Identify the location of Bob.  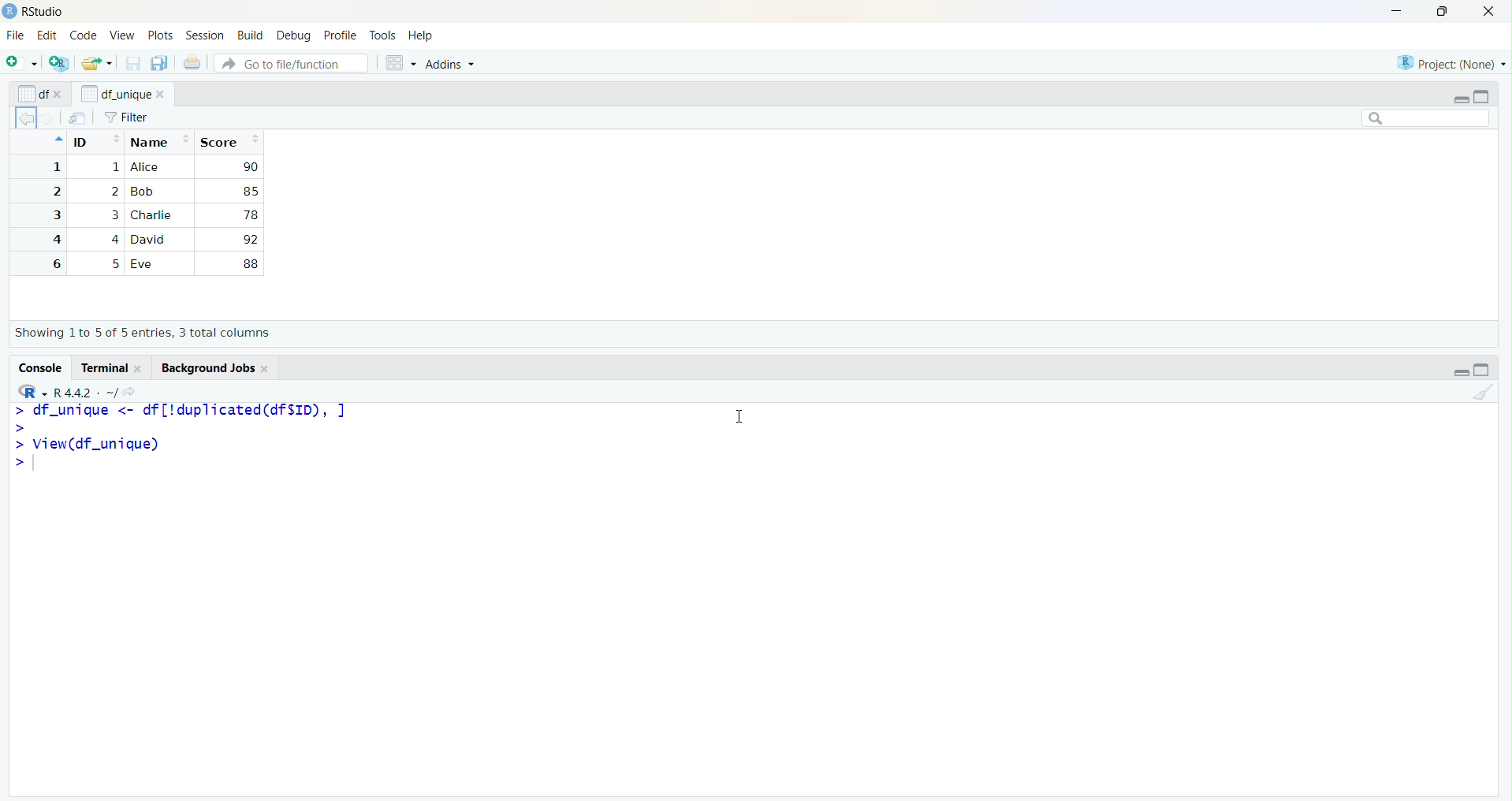
(146, 264).